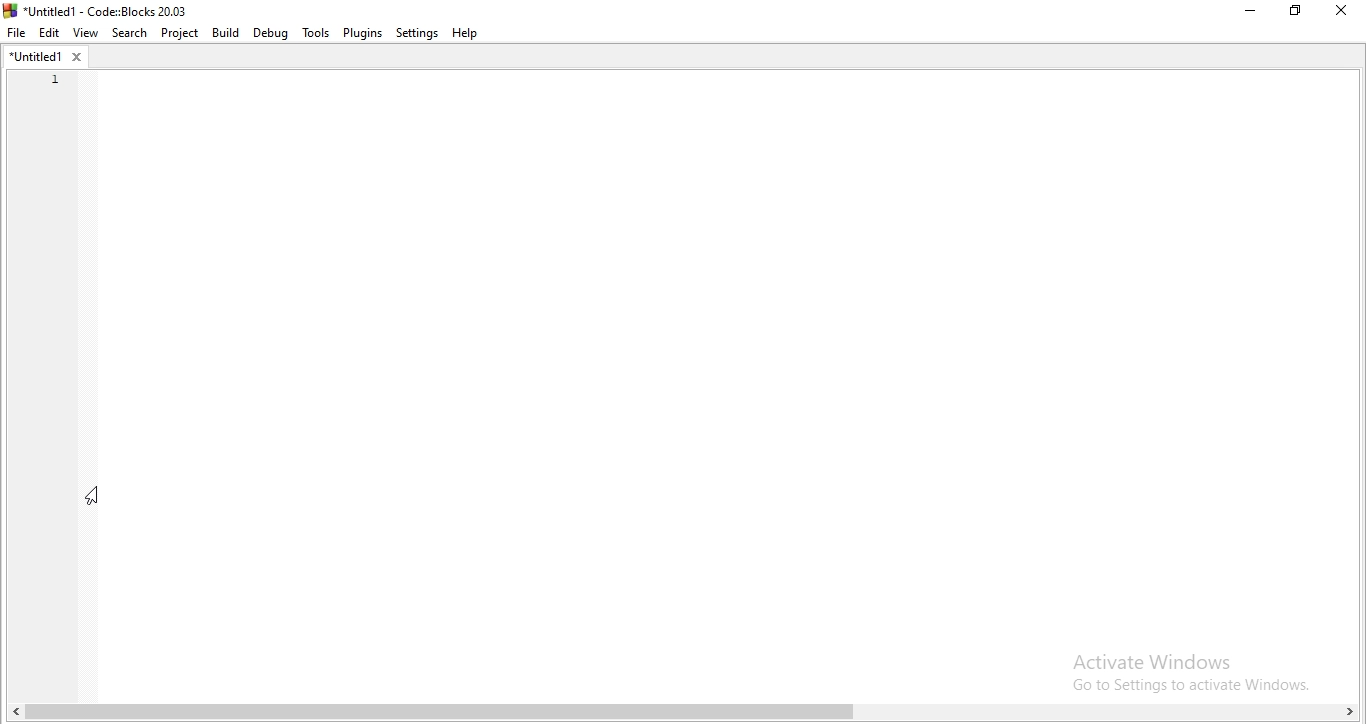 The height and width of the screenshot is (724, 1366). I want to click on Settings , so click(417, 34).